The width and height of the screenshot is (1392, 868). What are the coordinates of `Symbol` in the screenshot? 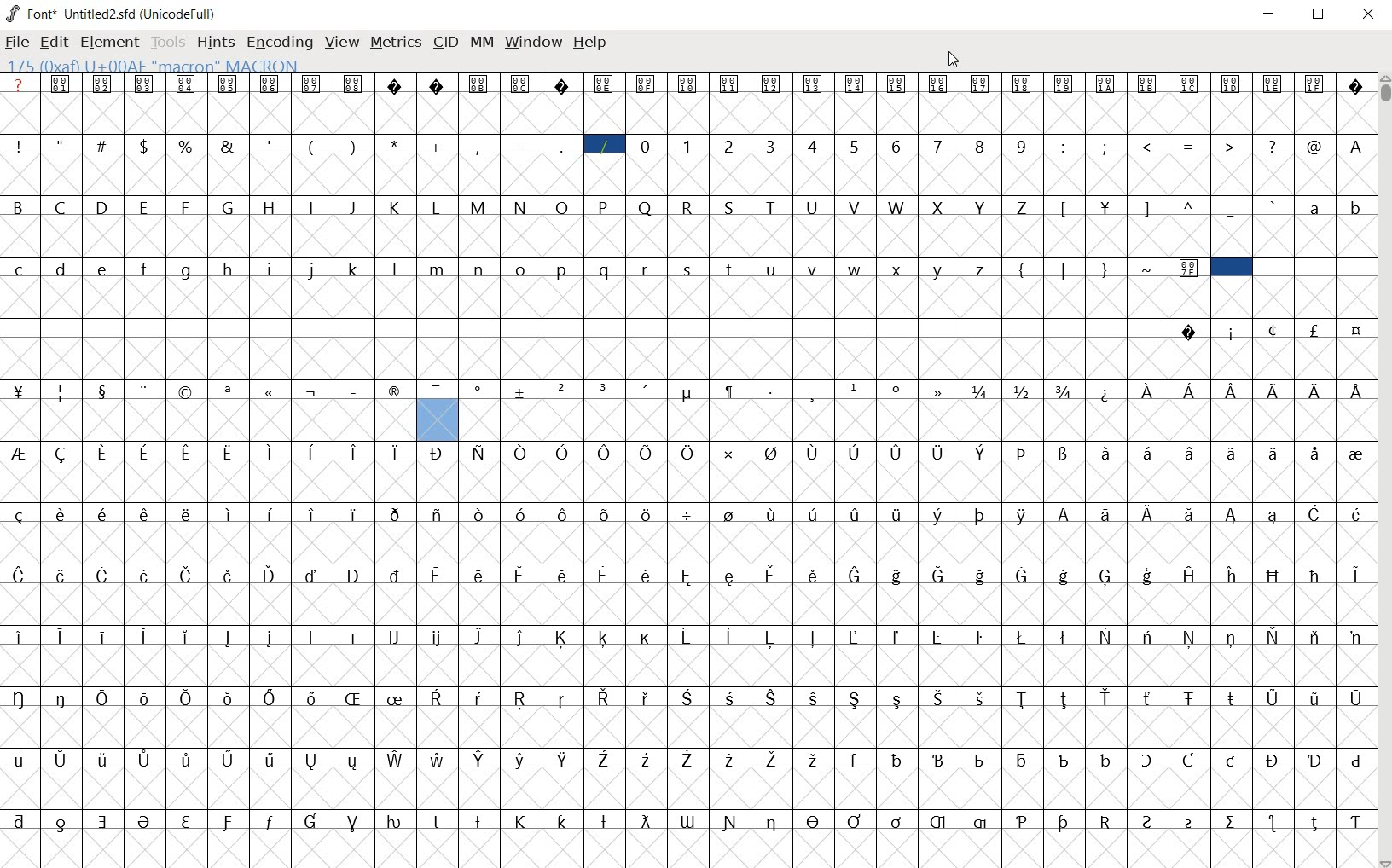 It's located at (1356, 697).